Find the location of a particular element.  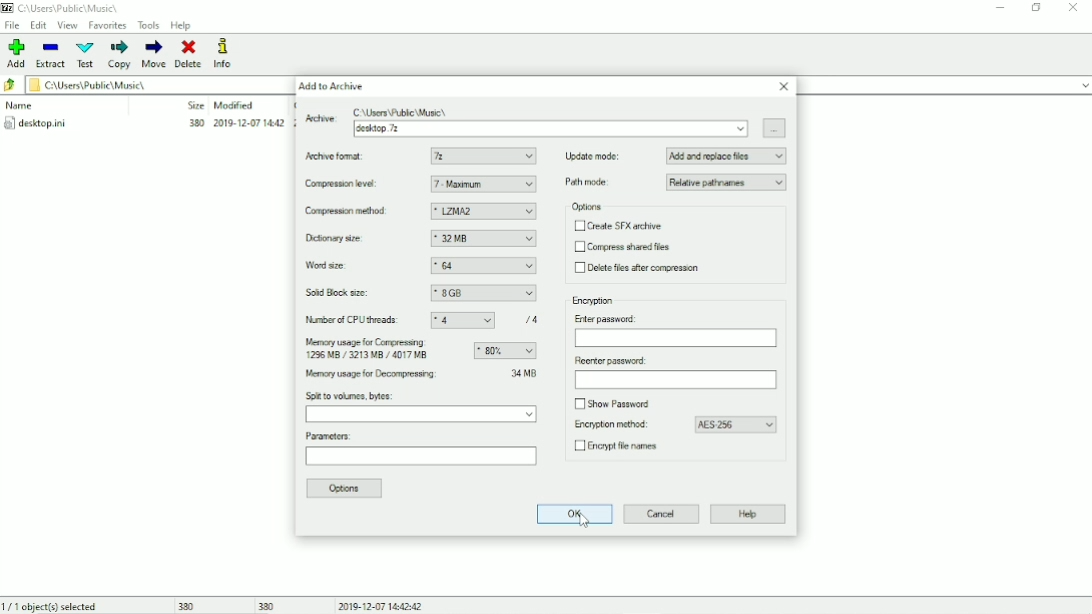

7z is located at coordinates (484, 156).